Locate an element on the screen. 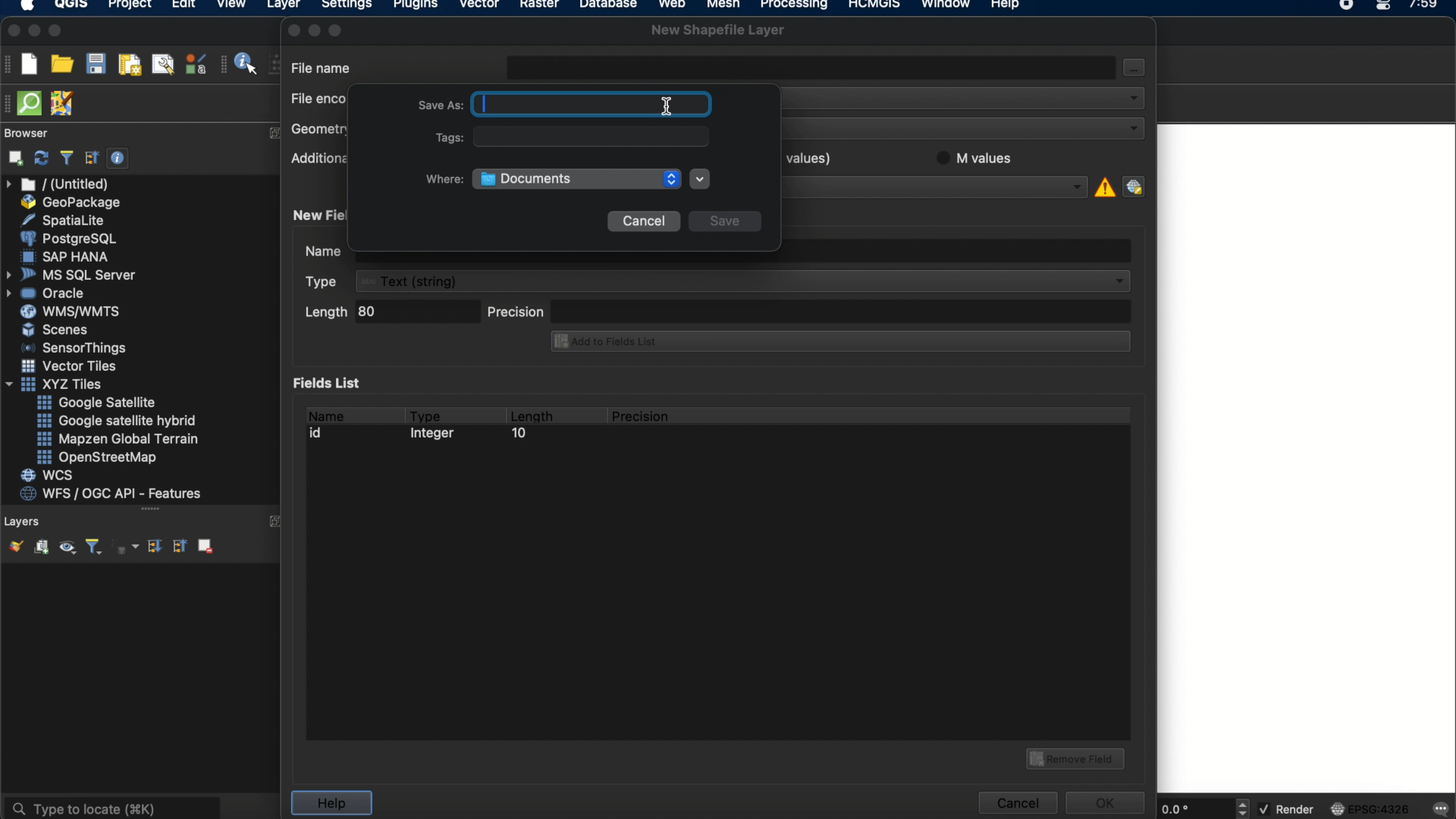  remove layer group is located at coordinates (204, 545).